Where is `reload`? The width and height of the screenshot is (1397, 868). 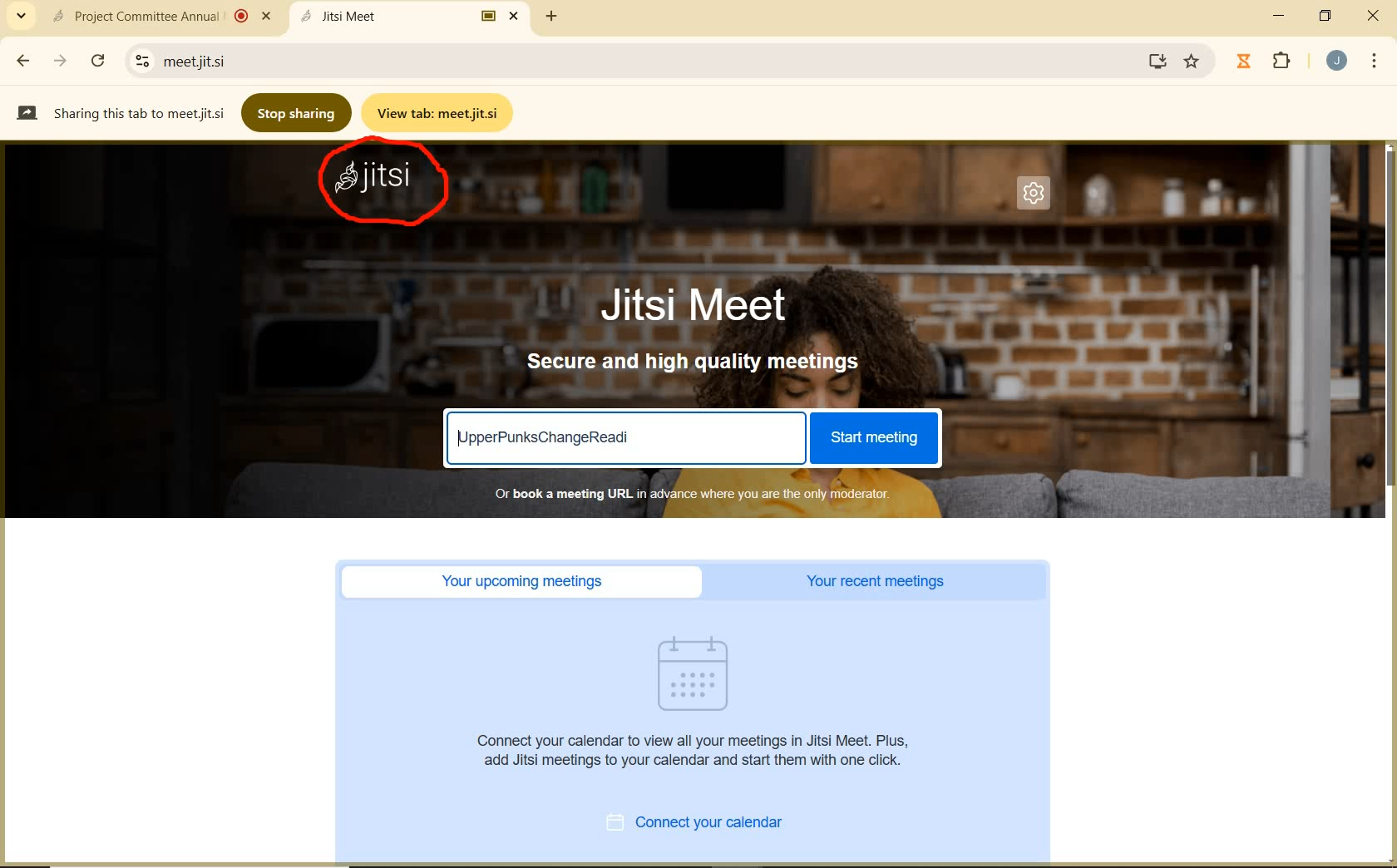
reload is located at coordinates (97, 58).